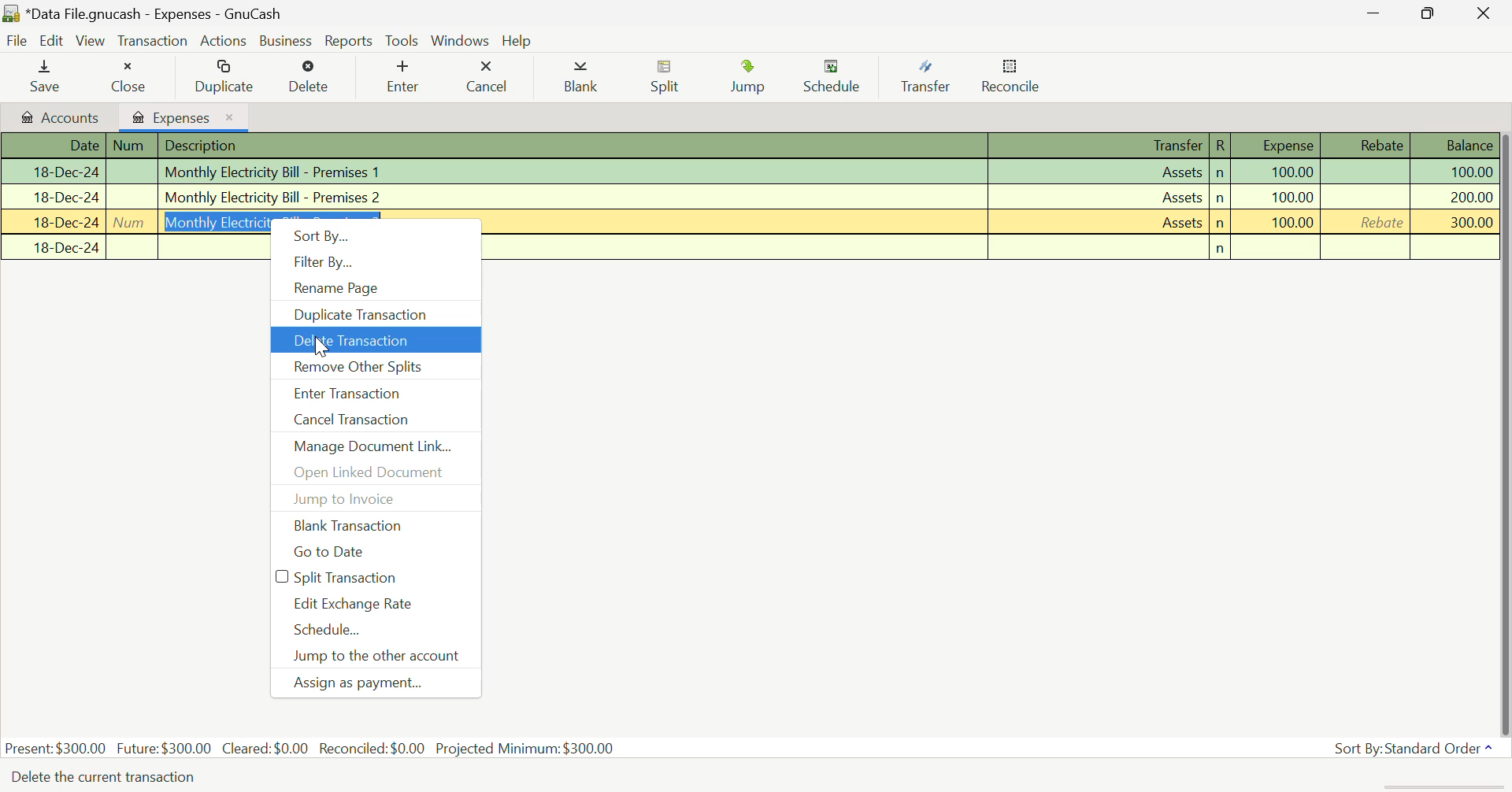 The width and height of the screenshot is (1512, 792). I want to click on Enter, so click(407, 76).